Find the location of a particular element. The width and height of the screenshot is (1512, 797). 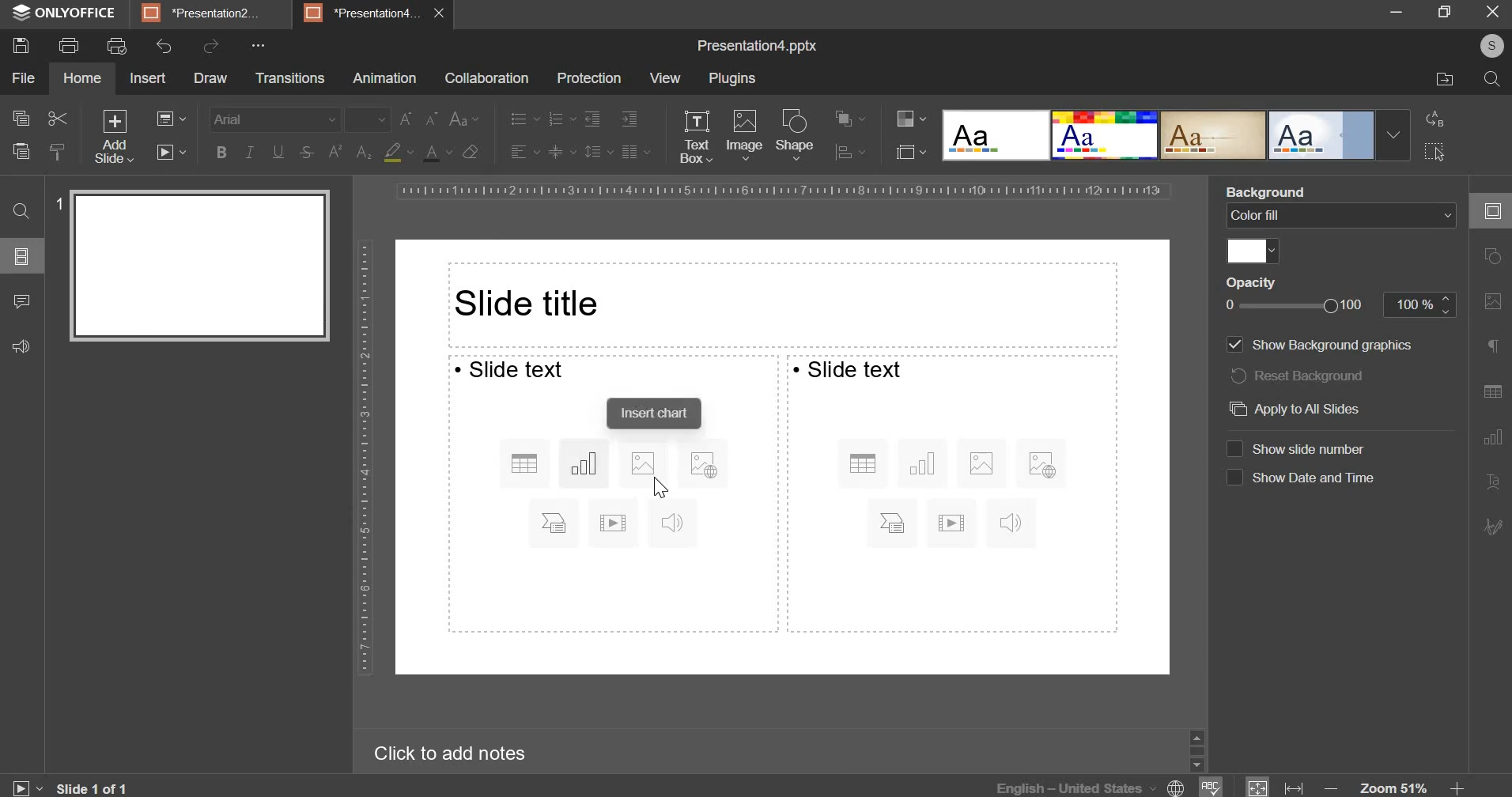

add slide is located at coordinates (114, 138).